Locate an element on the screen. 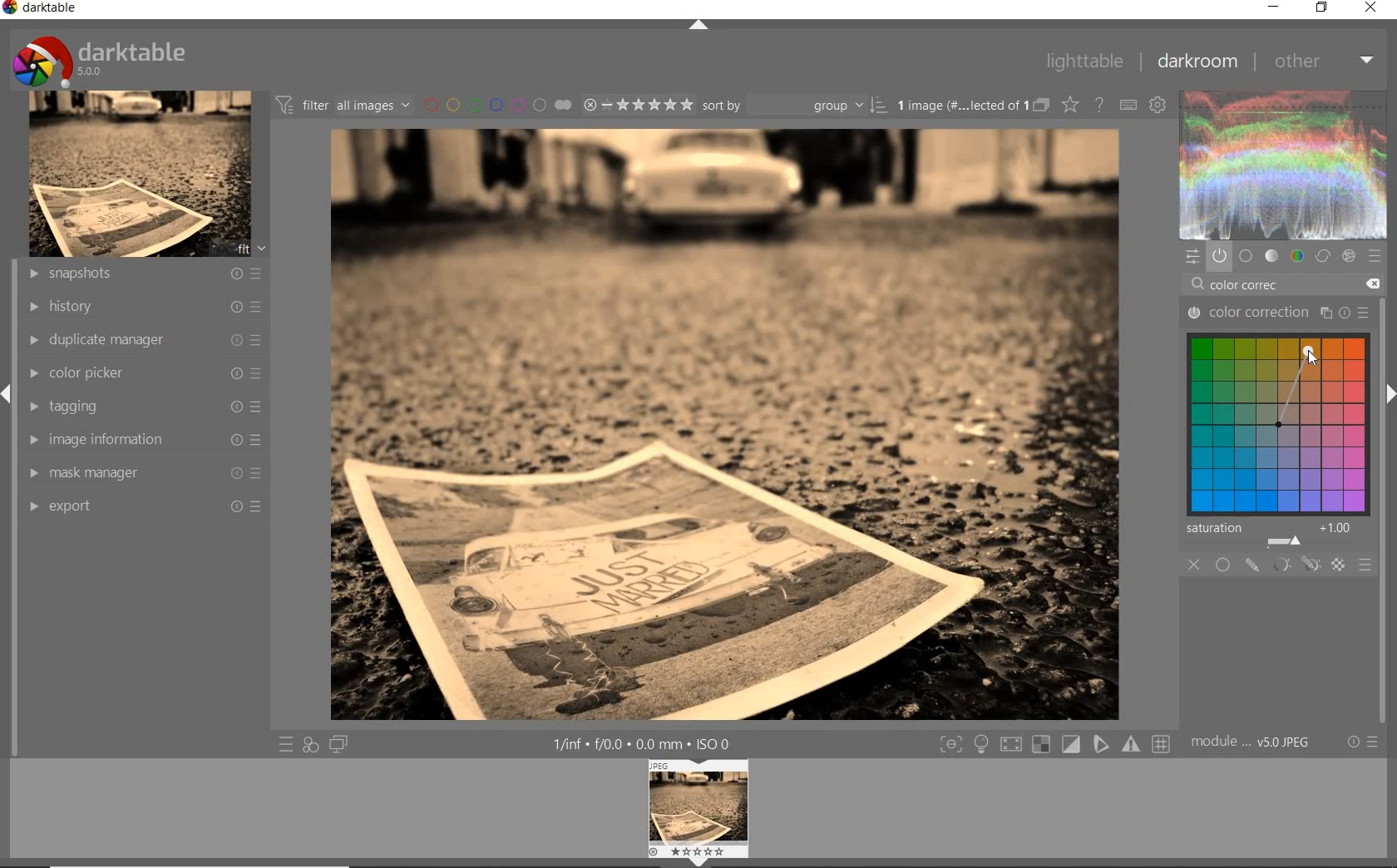 The height and width of the screenshot is (868, 1397). display a second darkroom image window is located at coordinates (338, 744).